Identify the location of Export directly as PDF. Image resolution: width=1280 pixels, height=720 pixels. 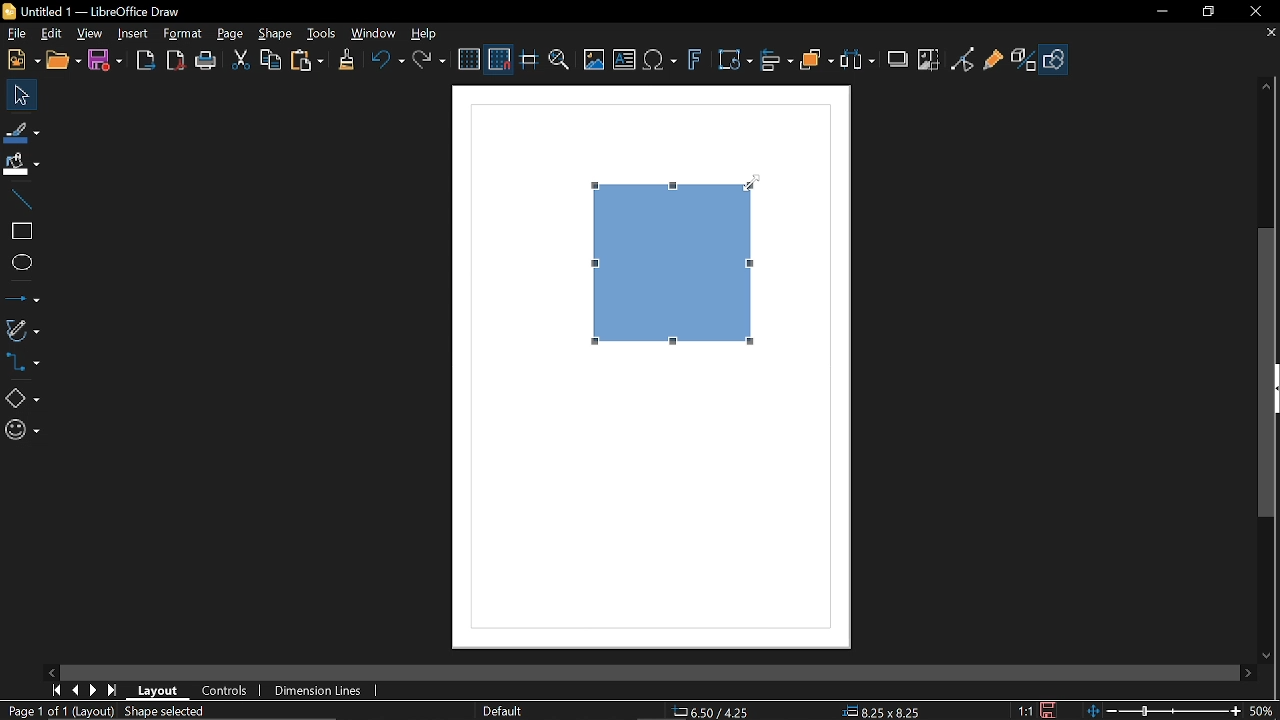
(176, 60).